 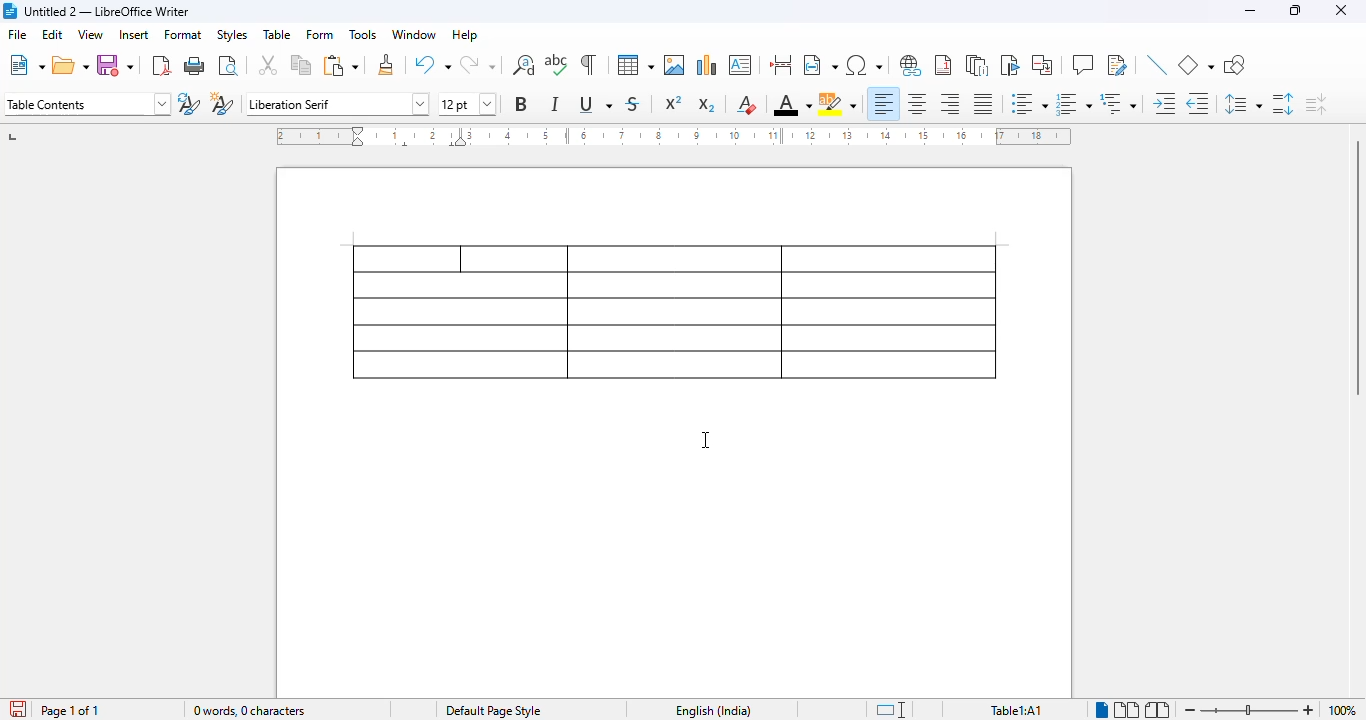 I want to click on new, so click(x=26, y=66).